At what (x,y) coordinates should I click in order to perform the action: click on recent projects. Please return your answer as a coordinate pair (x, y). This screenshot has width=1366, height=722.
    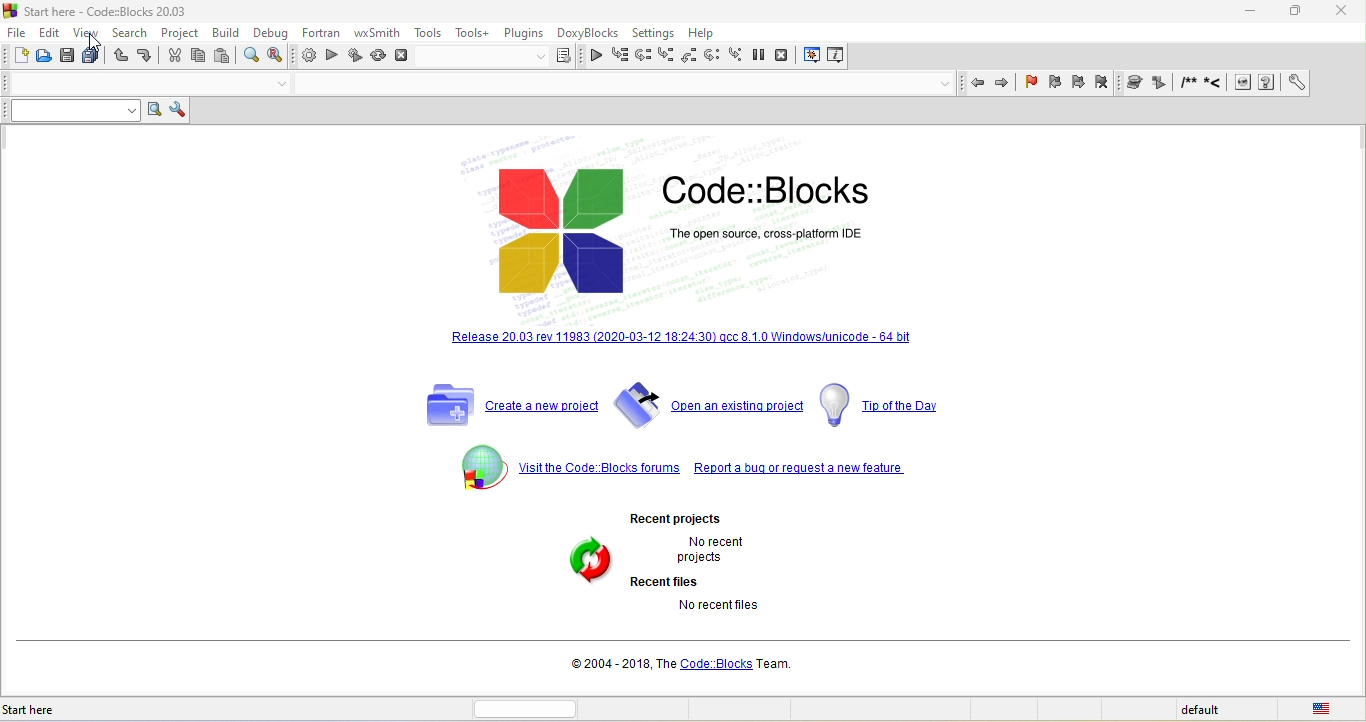
    Looking at the image, I should click on (679, 518).